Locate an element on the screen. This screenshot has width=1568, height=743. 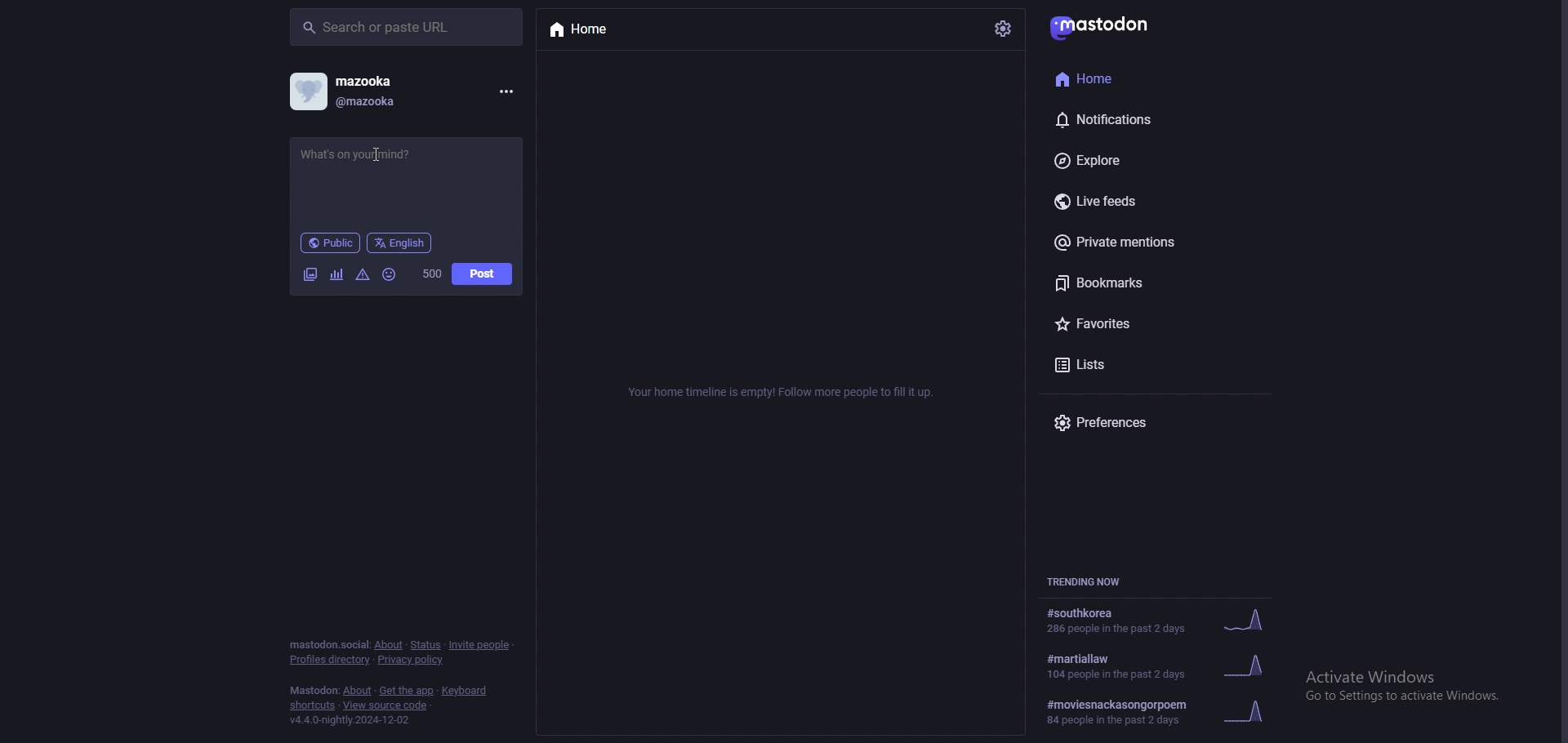
warnings is located at coordinates (363, 276).